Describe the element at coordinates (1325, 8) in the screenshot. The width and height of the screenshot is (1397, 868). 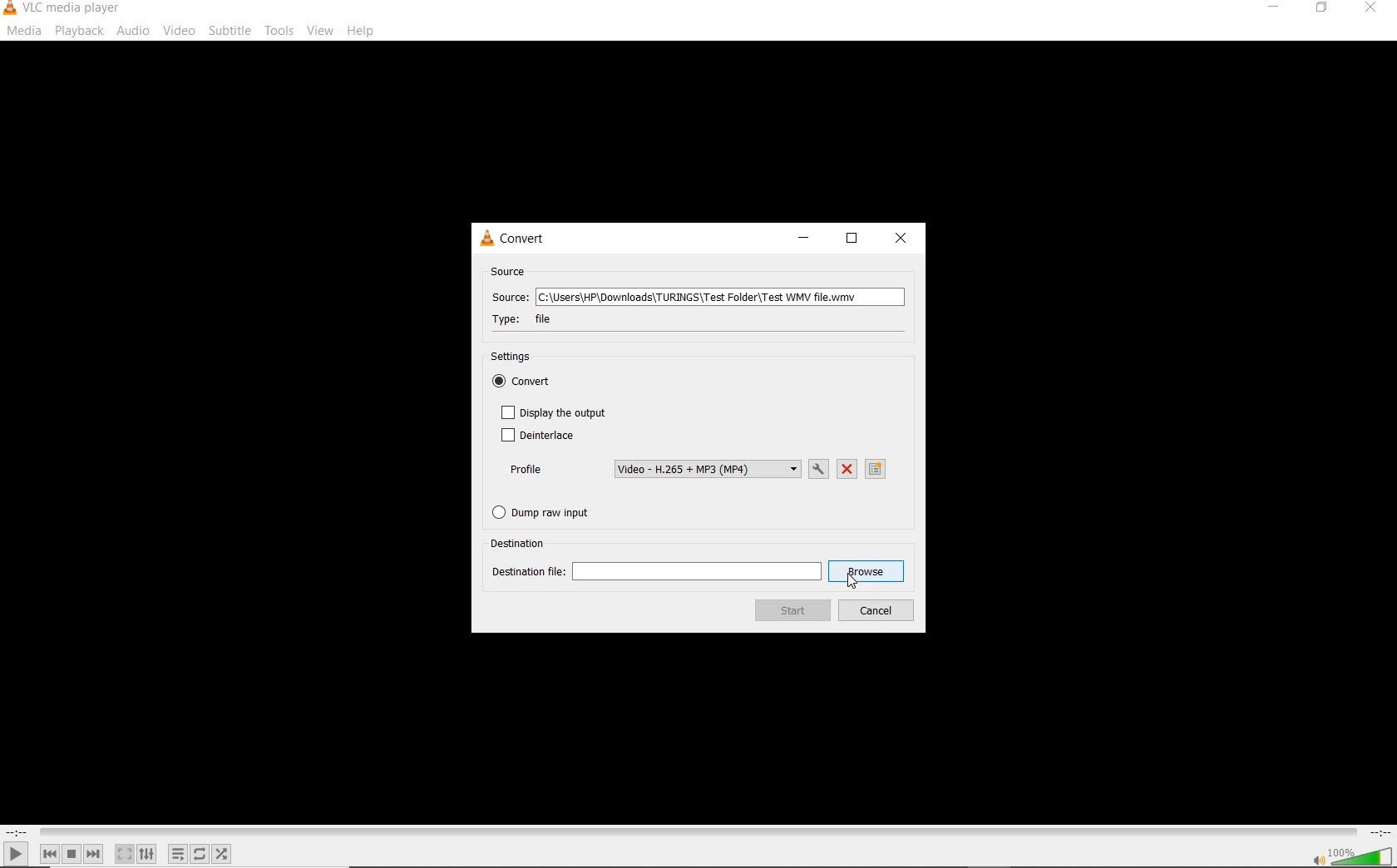
I see `restore down` at that location.